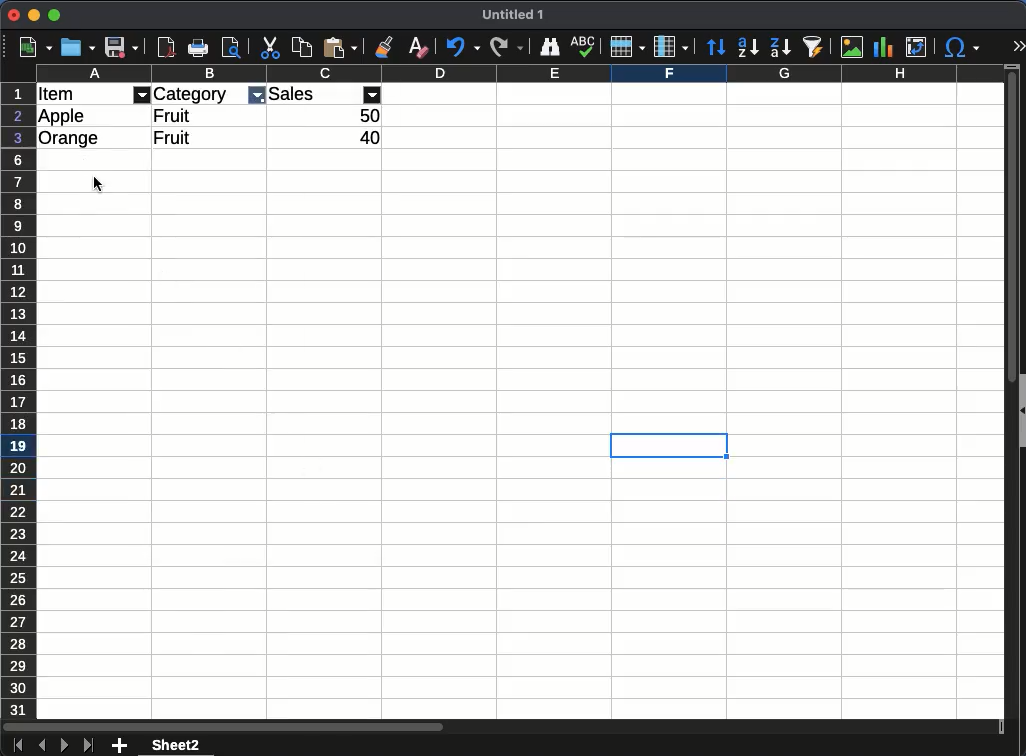 Image resolution: width=1026 pixels, height=756 pixels. Describe the element at coordinates (79, 47) in the screenshot. I see `open` at that location.